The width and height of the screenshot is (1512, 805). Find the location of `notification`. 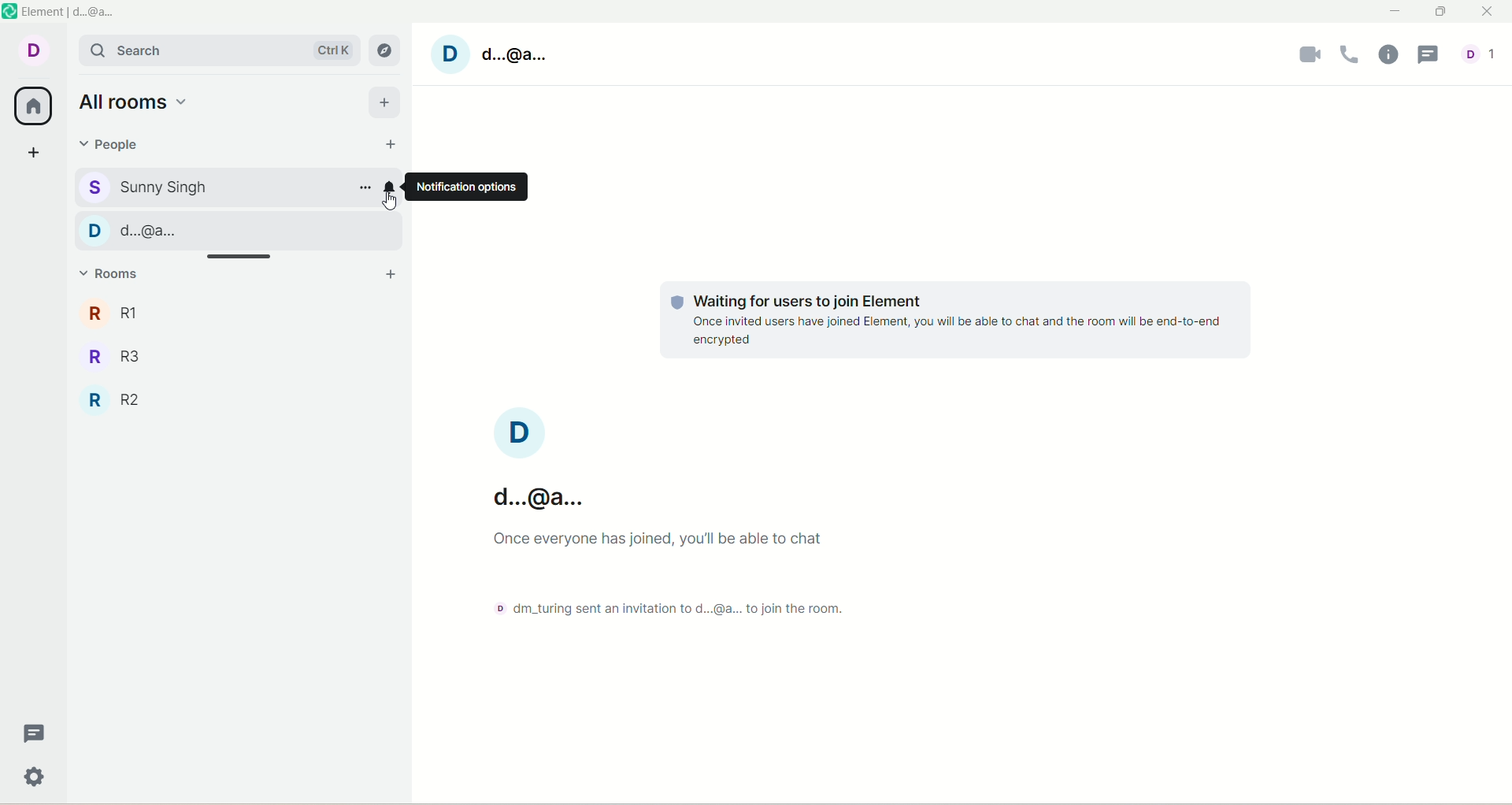

notification is located at coordinates (388, 187).